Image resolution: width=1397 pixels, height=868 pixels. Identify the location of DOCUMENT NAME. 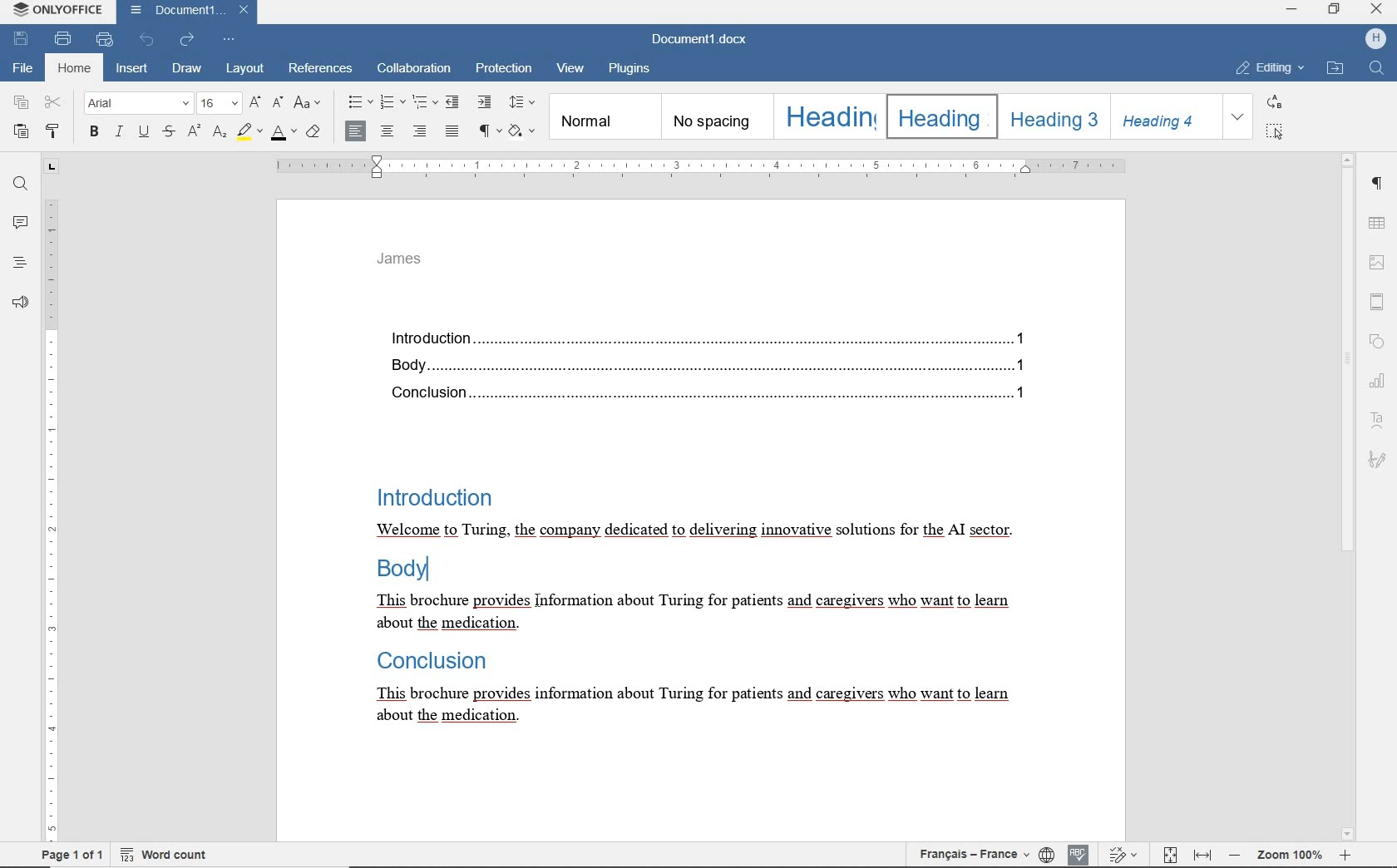
(187, 12).